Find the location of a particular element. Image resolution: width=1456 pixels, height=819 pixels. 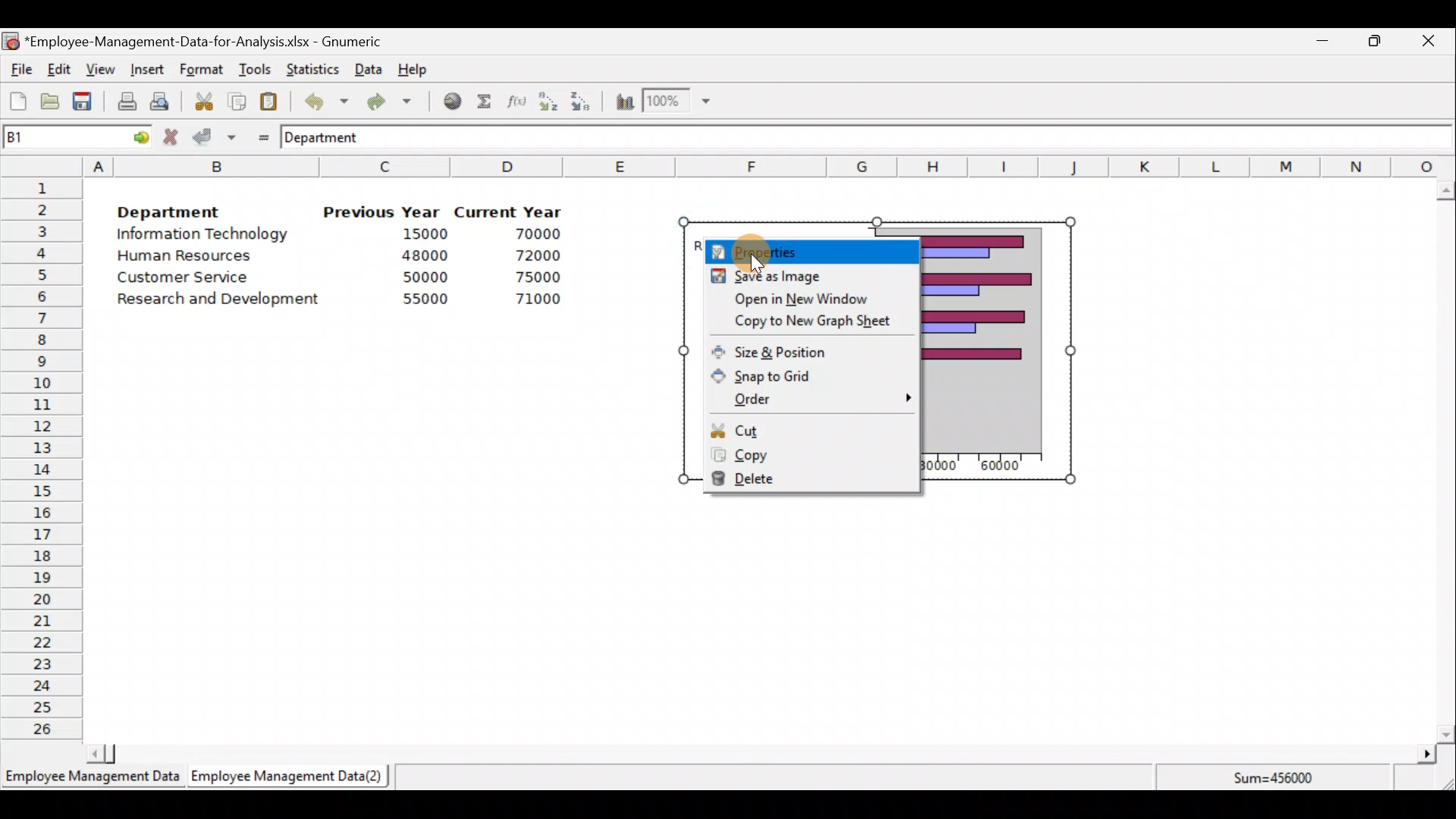

Sort in descending order is located at coordinates (582, 102).